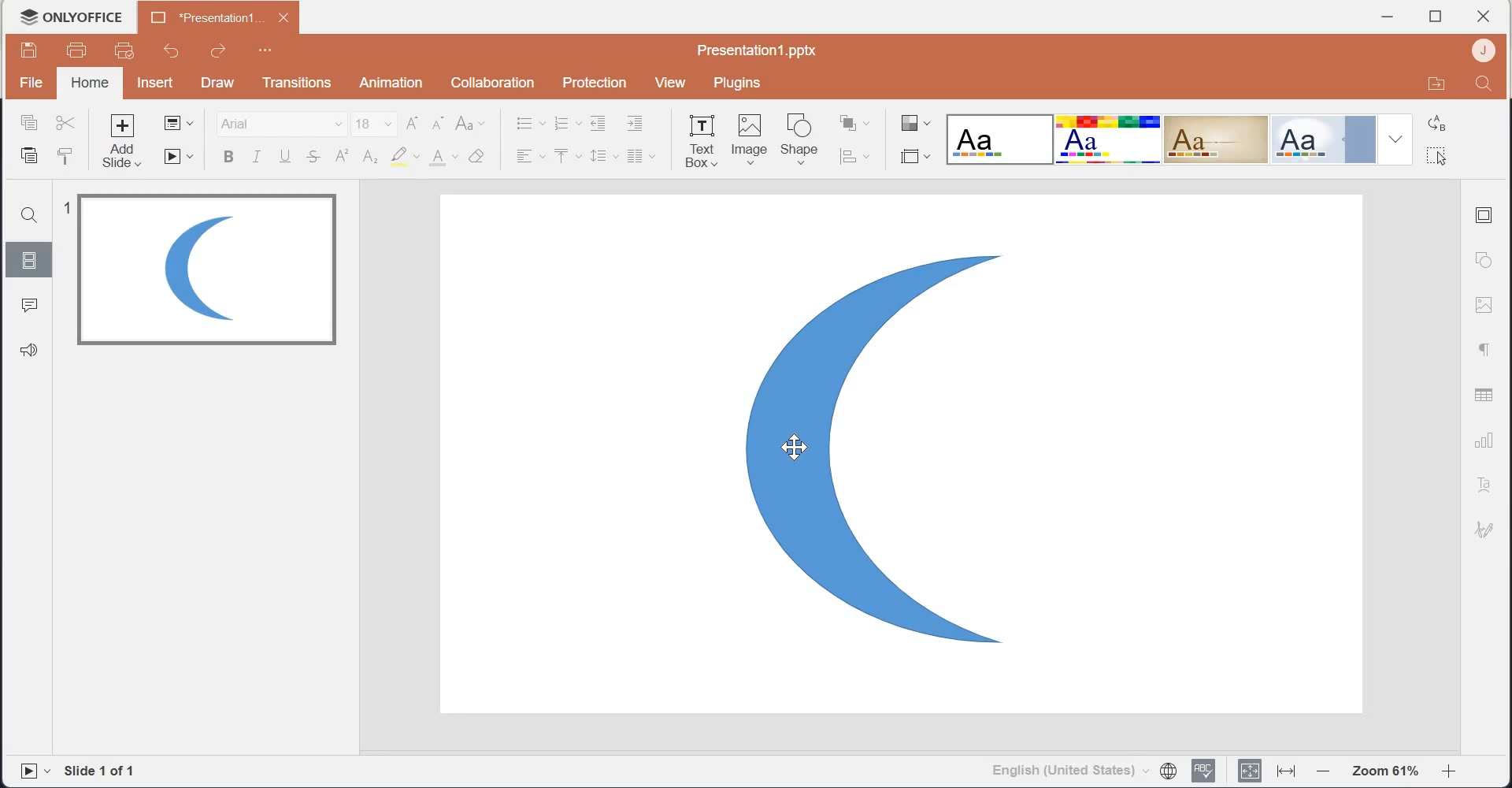  Describe the element at coordinates (215, 84) in the screenshot. I see `Draw` at that location.